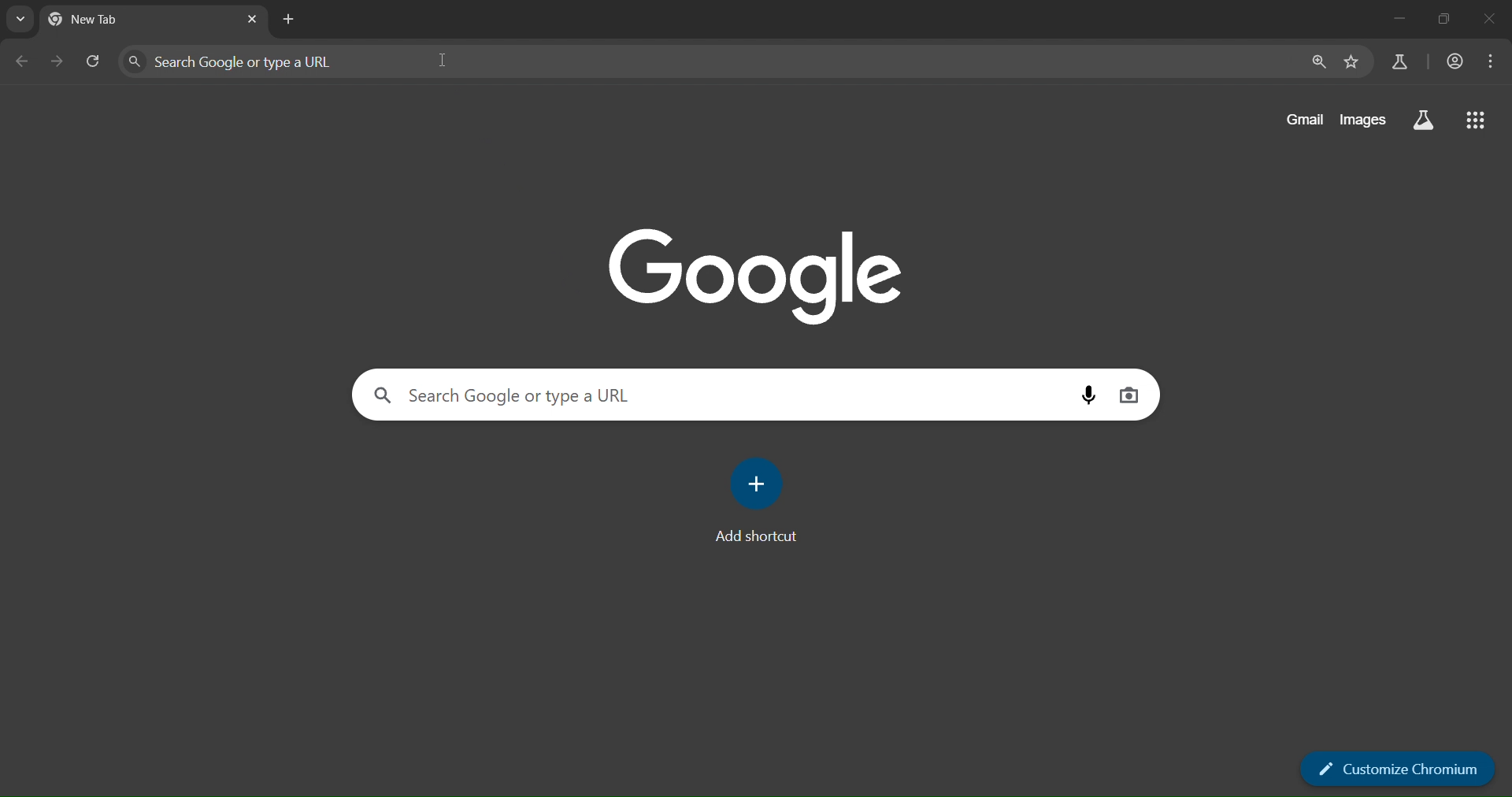  Describe the element at coordinates (759, 502) in the screenshot. I see `add shortcut` at that location.